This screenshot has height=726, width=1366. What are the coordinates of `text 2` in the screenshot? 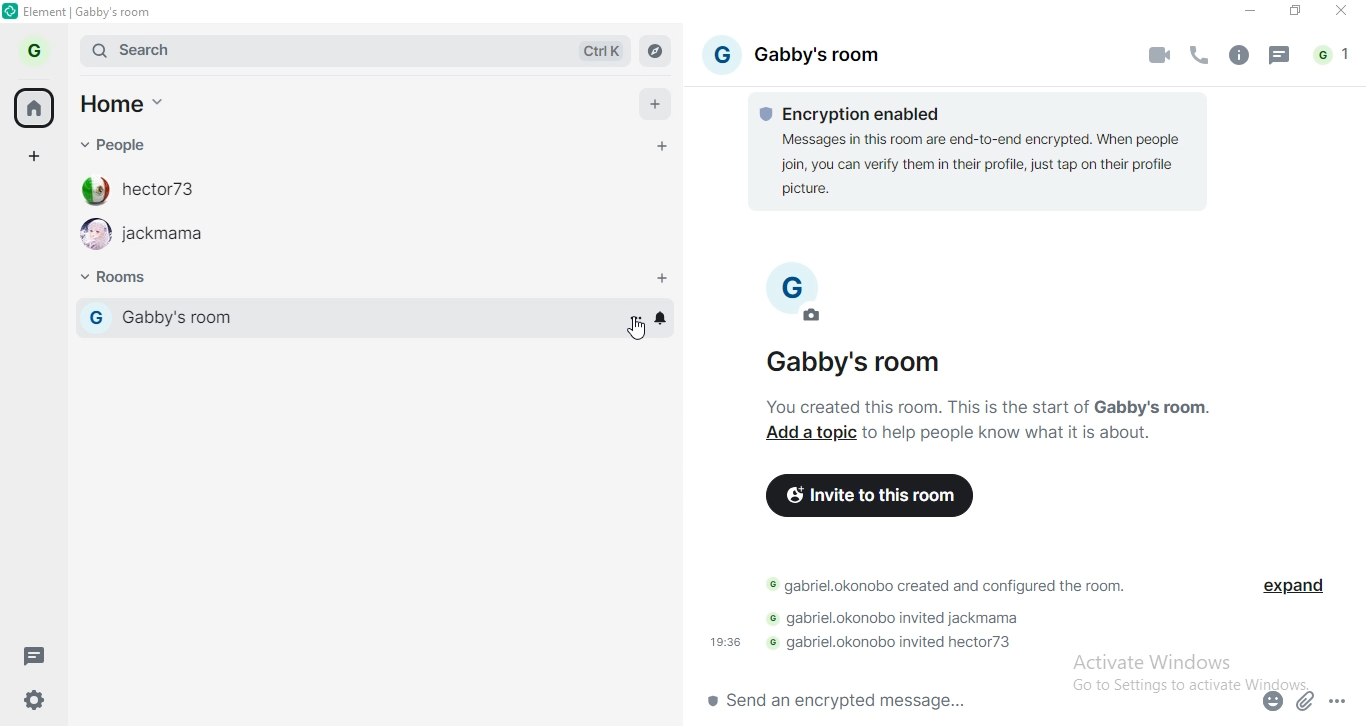 It's located at (951, 586).